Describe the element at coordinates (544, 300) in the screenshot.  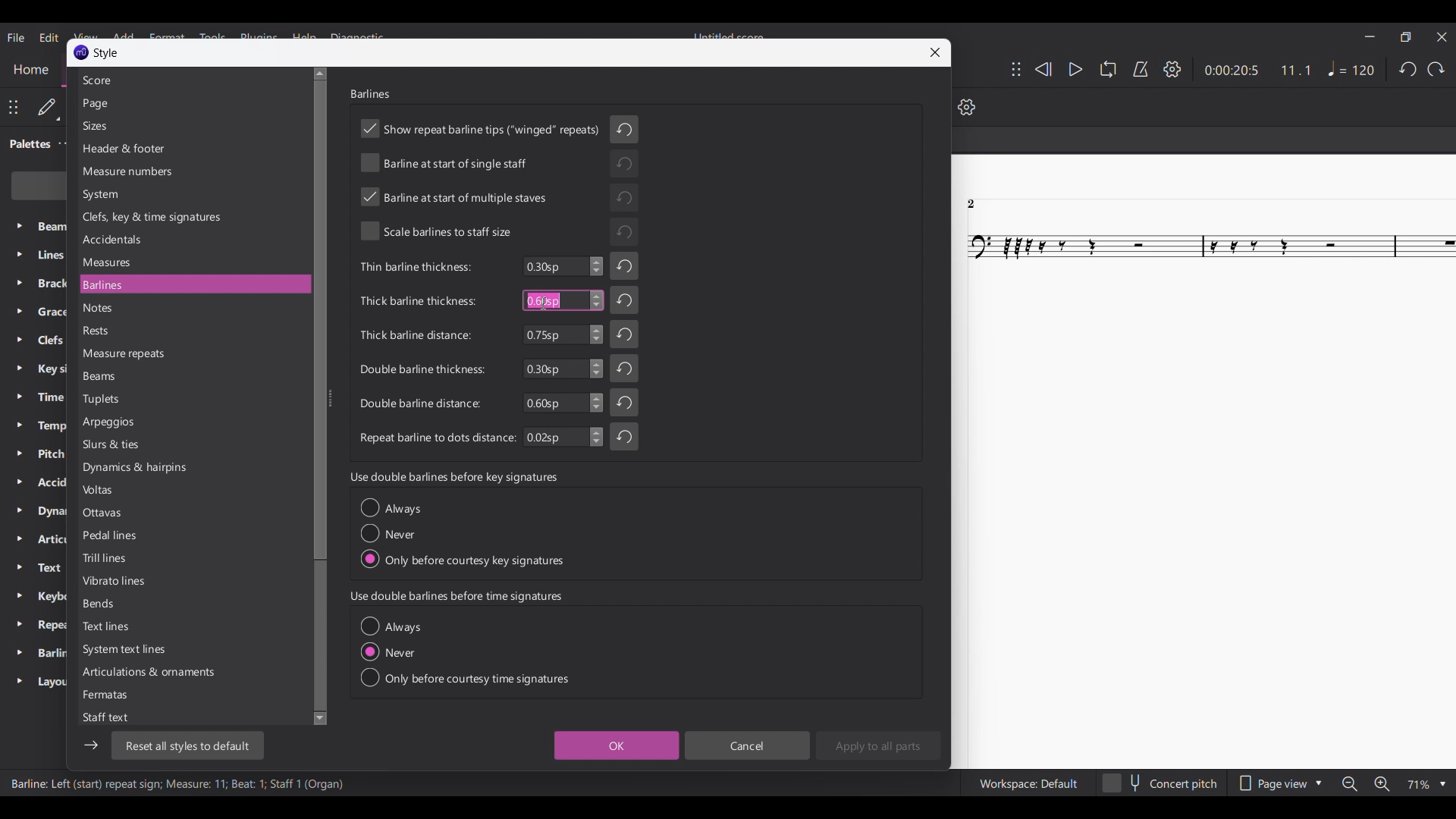
I see `Typing in number` at that location.